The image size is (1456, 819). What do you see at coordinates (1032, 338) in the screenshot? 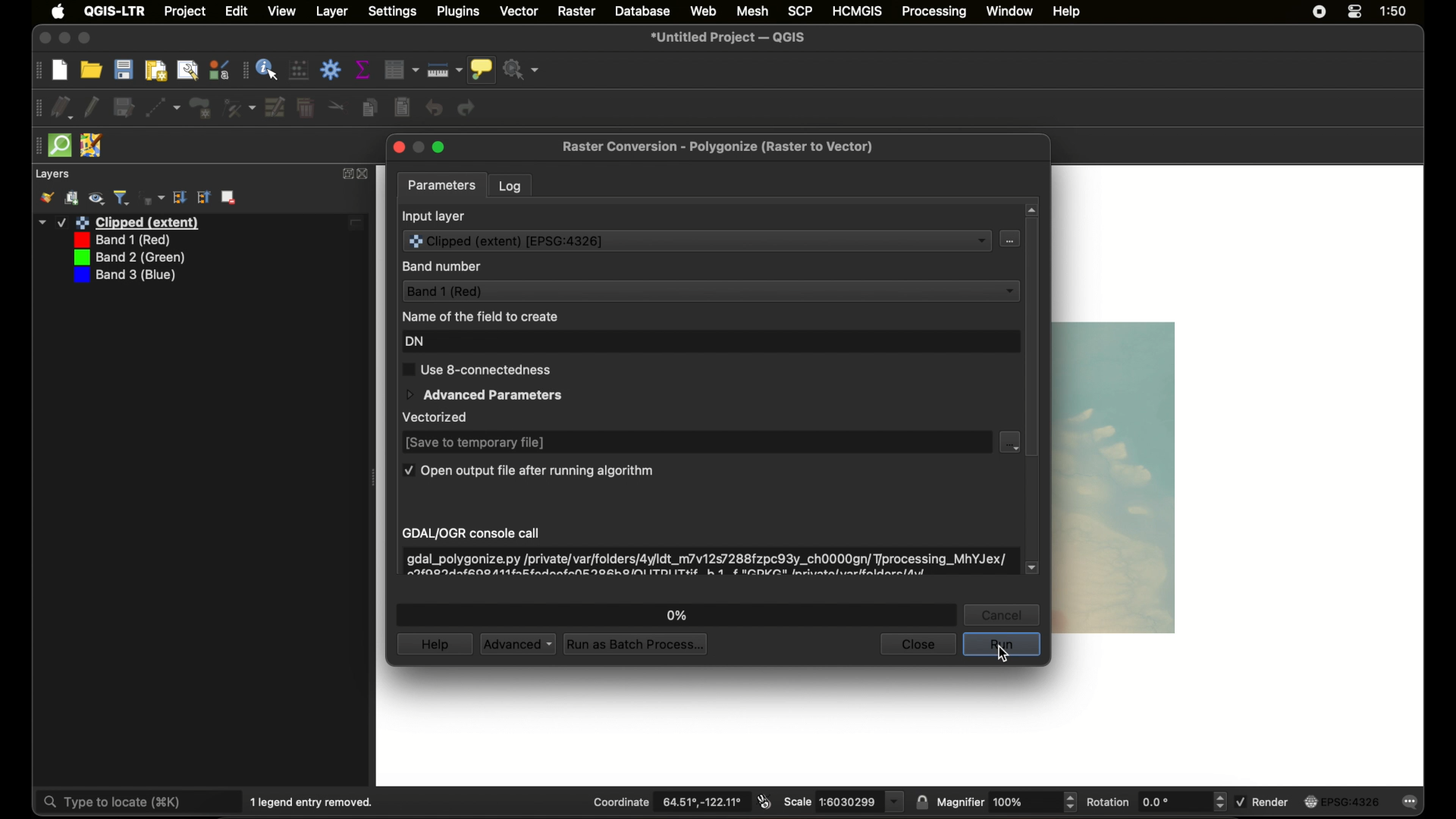
I see `scroll box` at bounding box center [1032, 338].